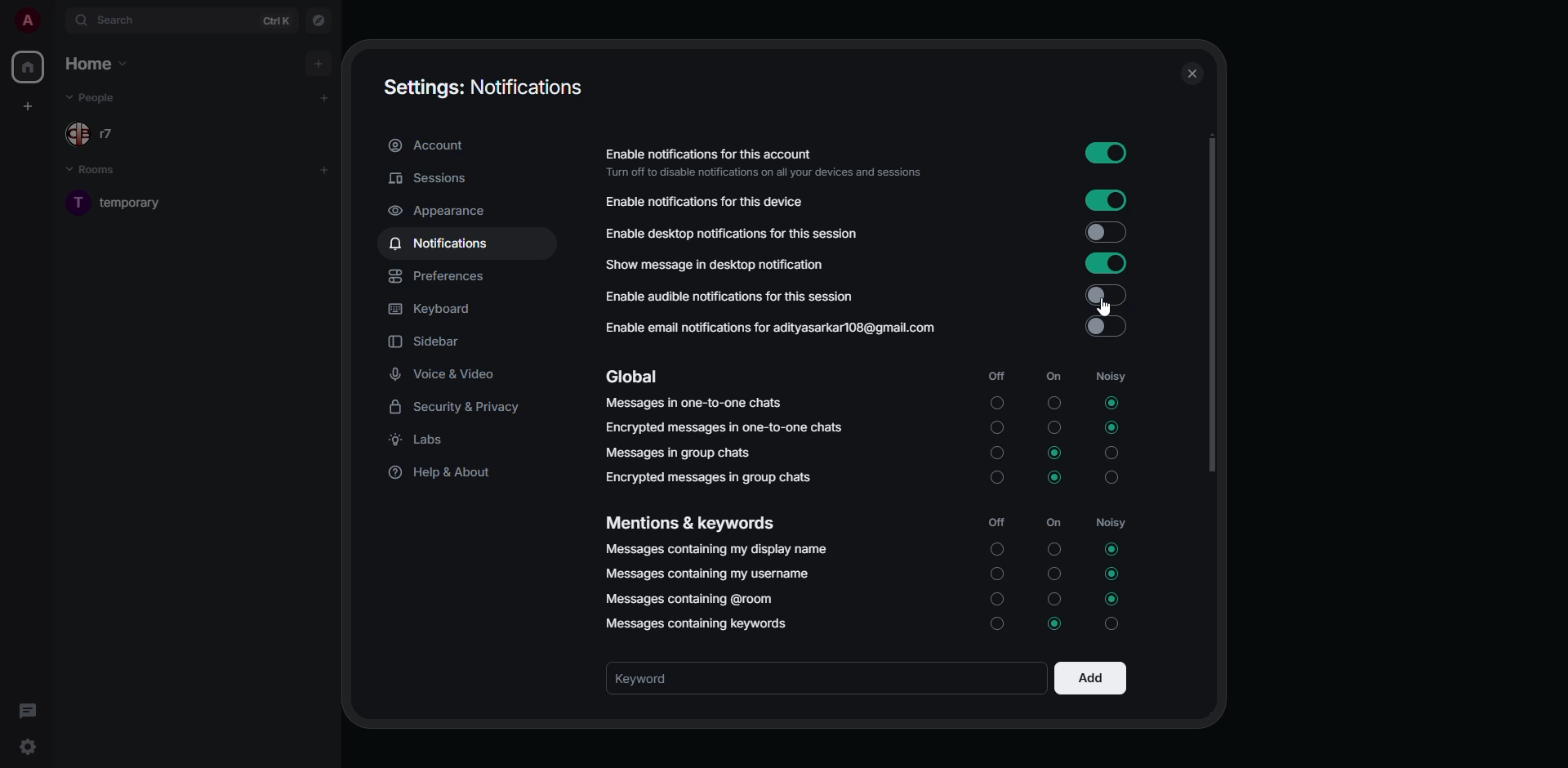  Describe the element at coordinates (998, 403) in the screenshot. I see `Off Unselected` at that location.